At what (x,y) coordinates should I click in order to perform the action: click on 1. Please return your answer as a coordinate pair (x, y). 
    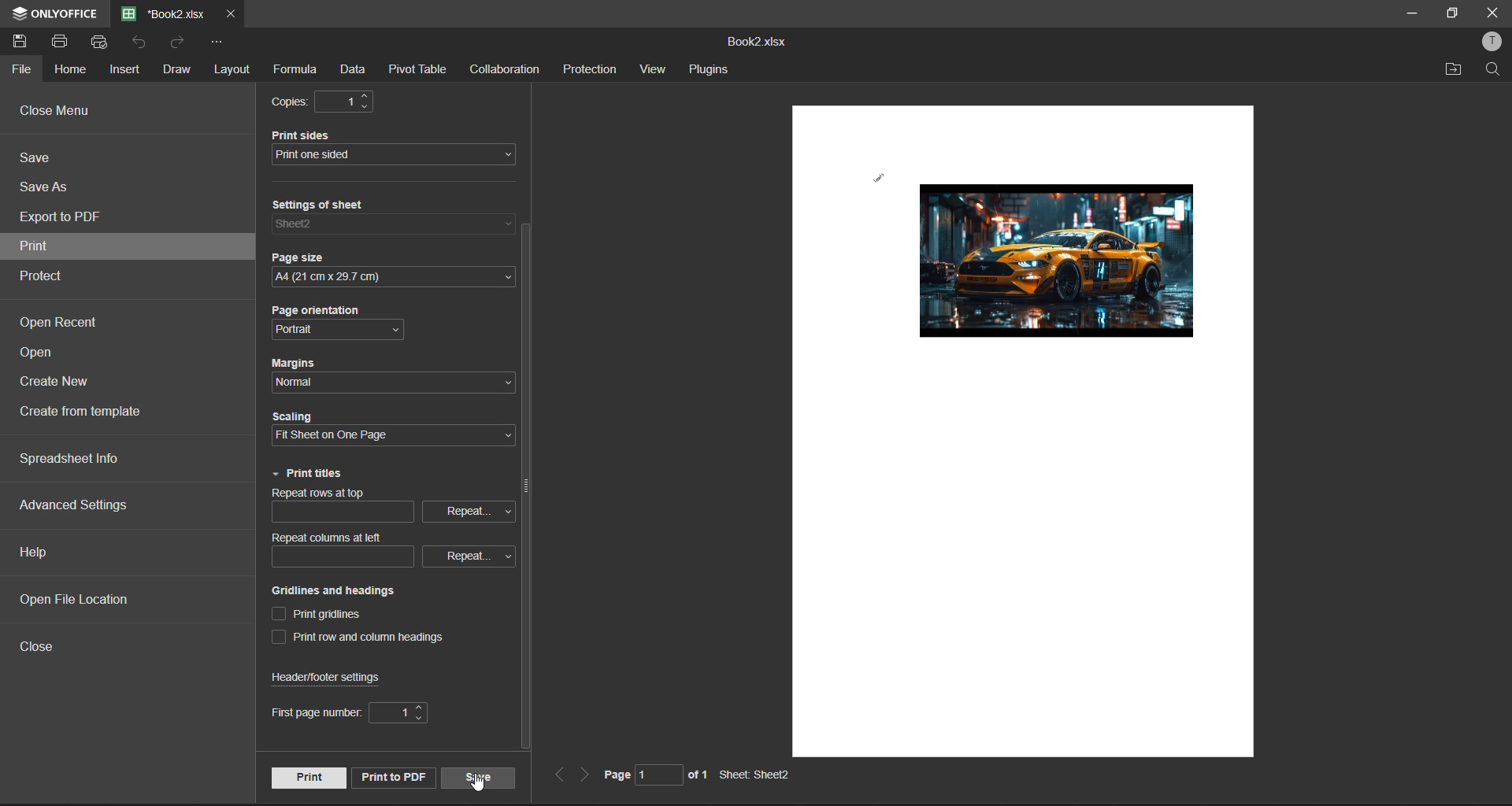
    Looking at the image, I should click on (352, 103).